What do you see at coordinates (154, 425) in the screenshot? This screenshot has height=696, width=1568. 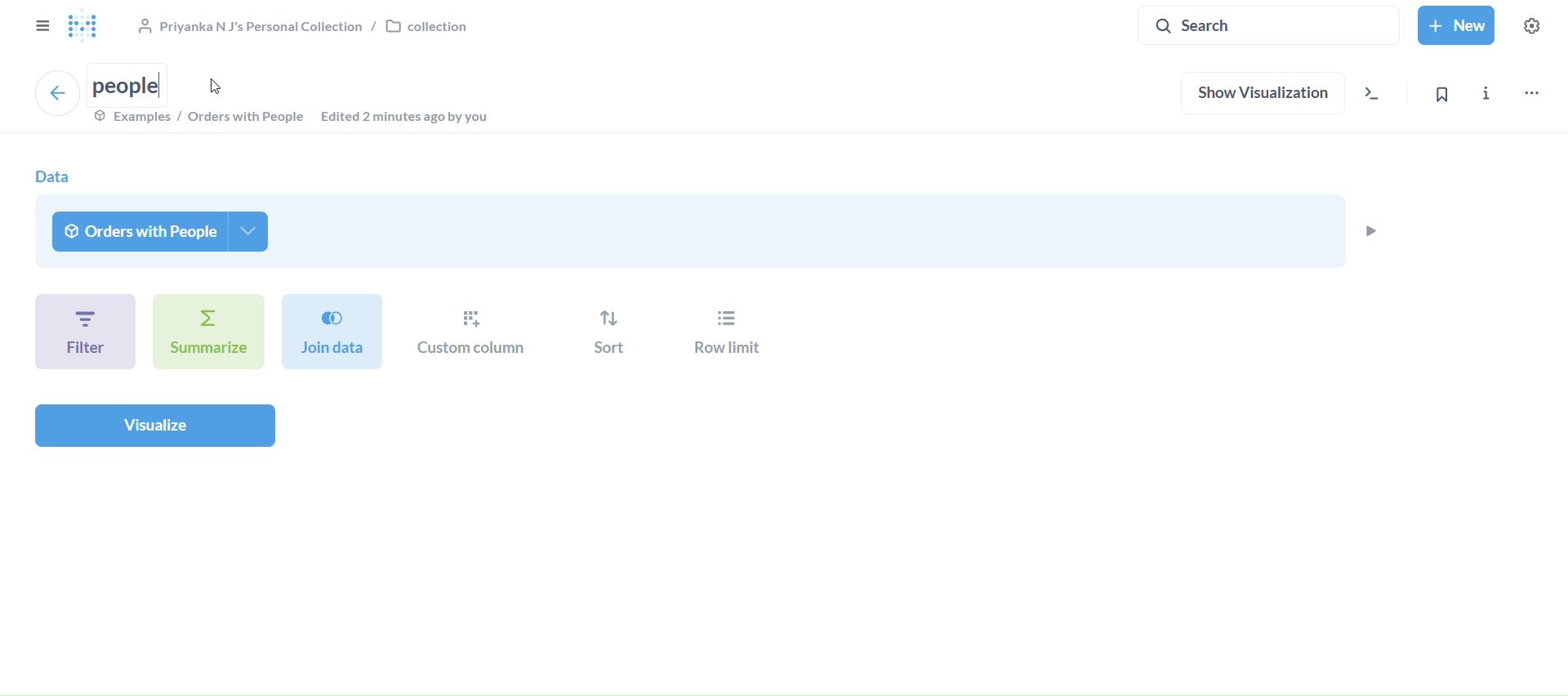 I see `visualize` at bounding box center [154, 425].